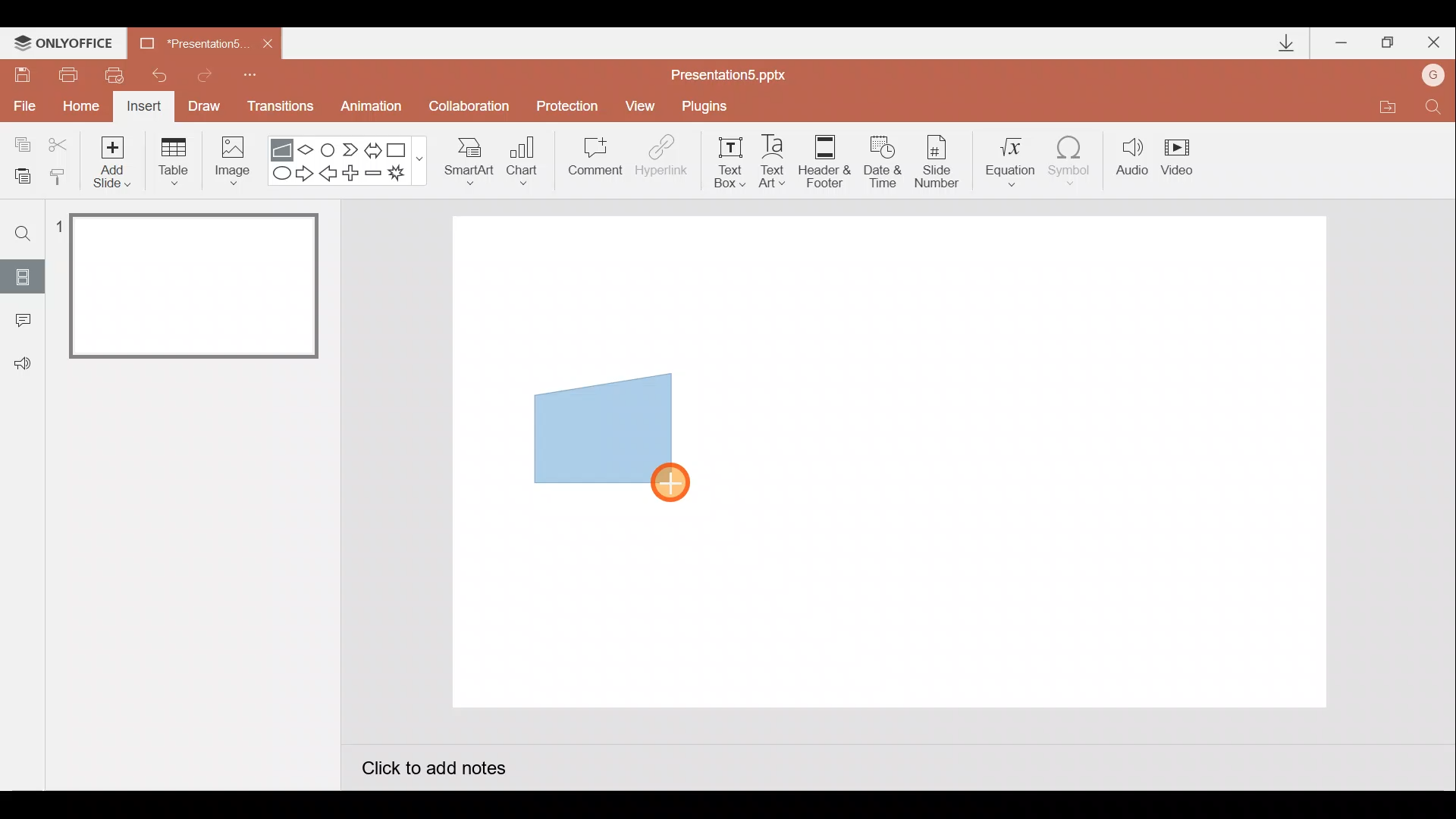 This screenshot has width=1456, height=819. What do you see at coordinates (1037, 461) in the screenshot?
I see `Presentation slide` at bounding box center [1037, 461].